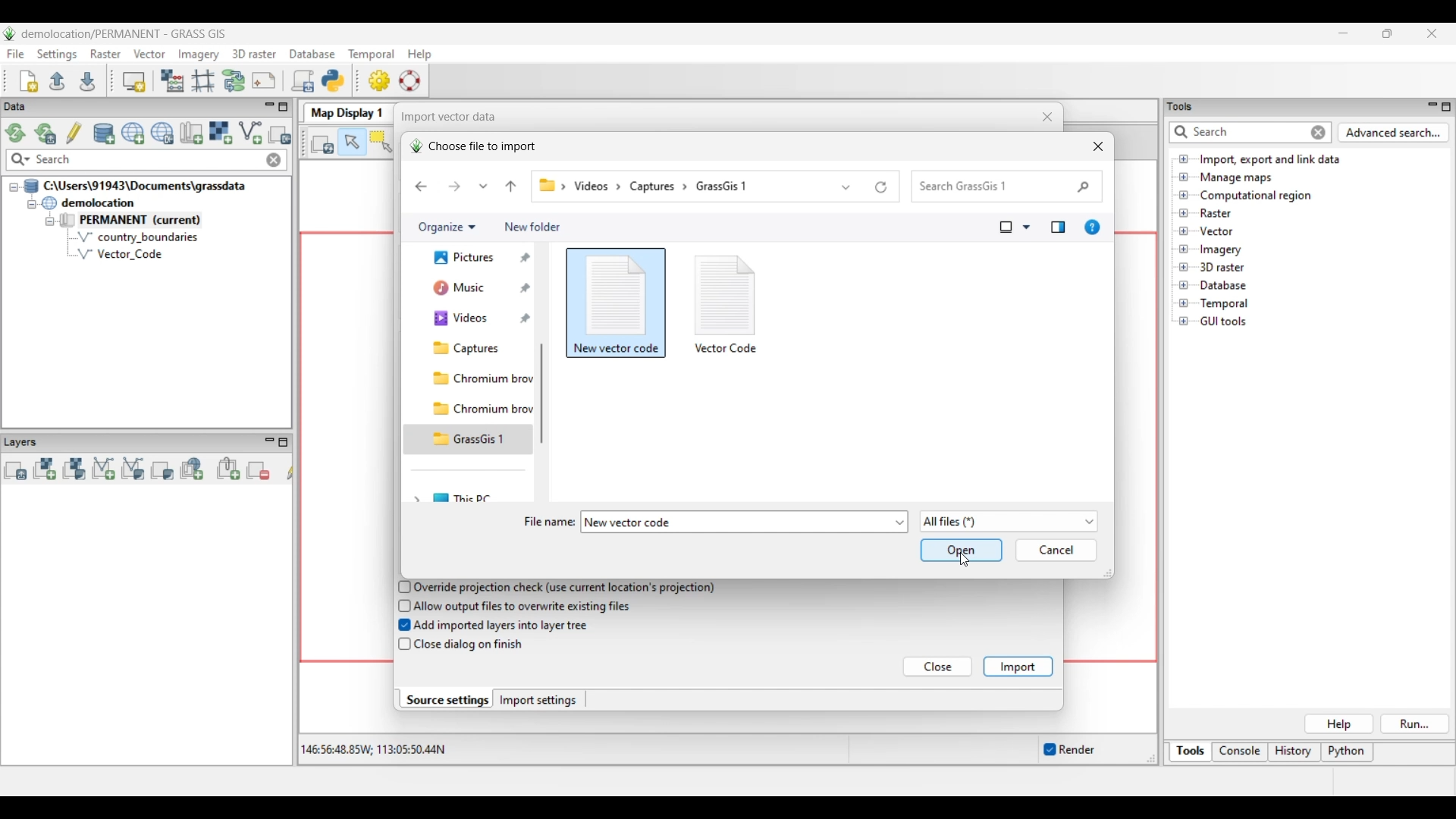 The width and height of the screenshot is (1456, 819). What do you see at coordinates (618, 292) in the screenshot?
I see `icon` at bounding box center [618, 292].